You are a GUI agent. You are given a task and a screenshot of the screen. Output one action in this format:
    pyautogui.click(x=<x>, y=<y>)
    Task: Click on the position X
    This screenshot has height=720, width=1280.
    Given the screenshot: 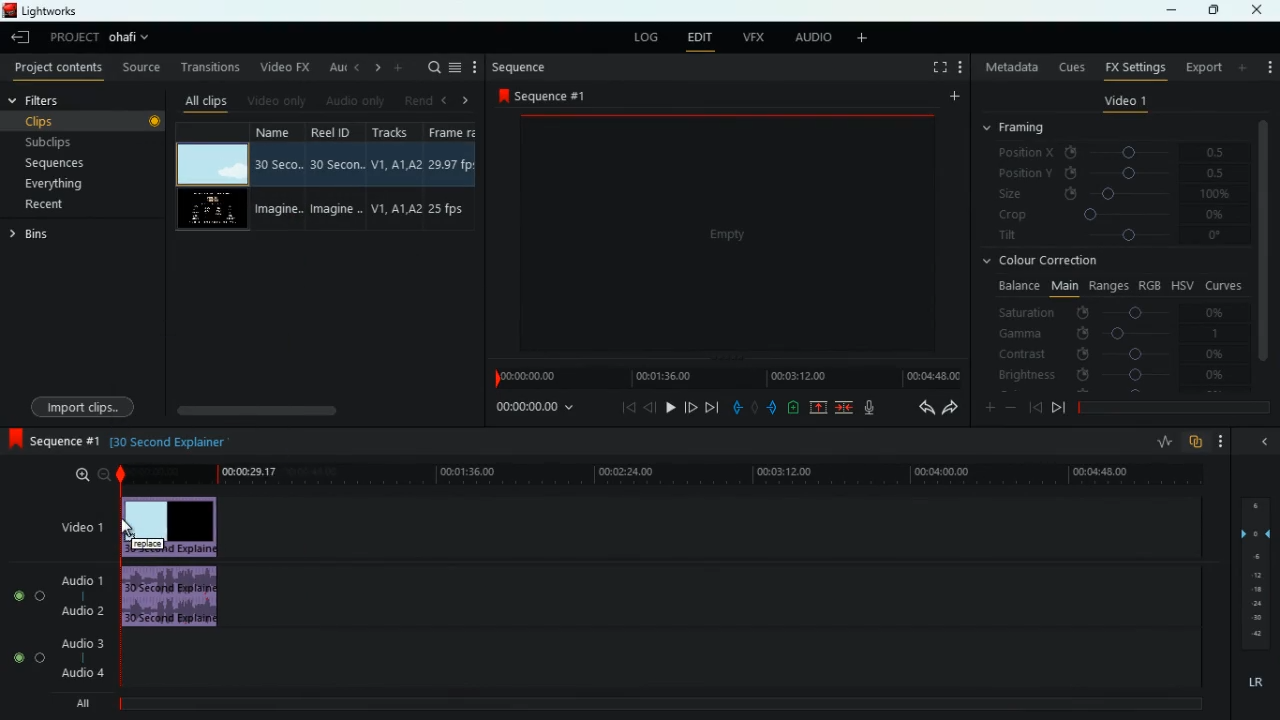 What is the action you would take?
    pyautogui.click(x=1109, y=153)
    